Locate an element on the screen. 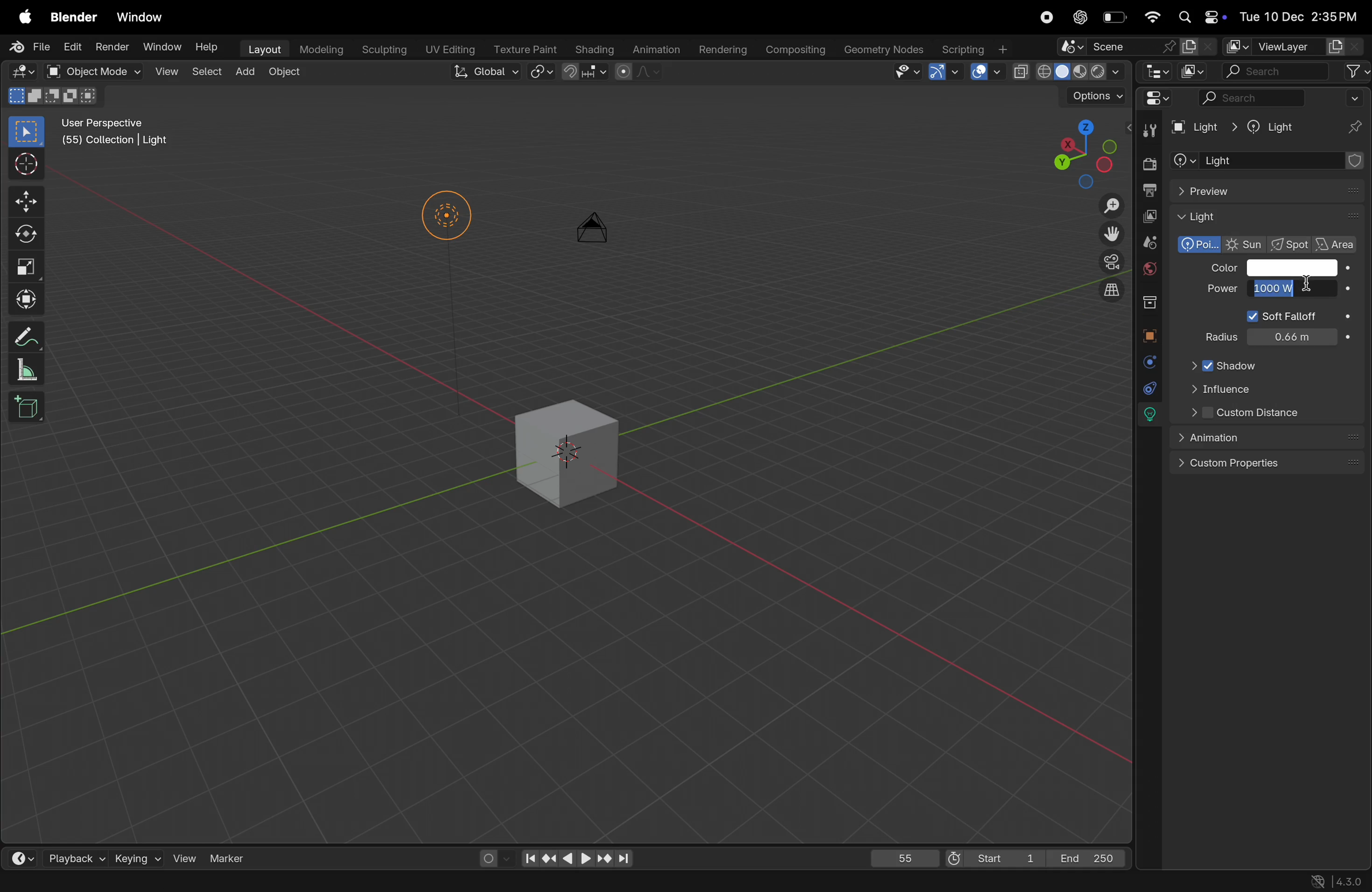 This screenshot has width=1372, height=892. Global is located at coordinates (485, 74).